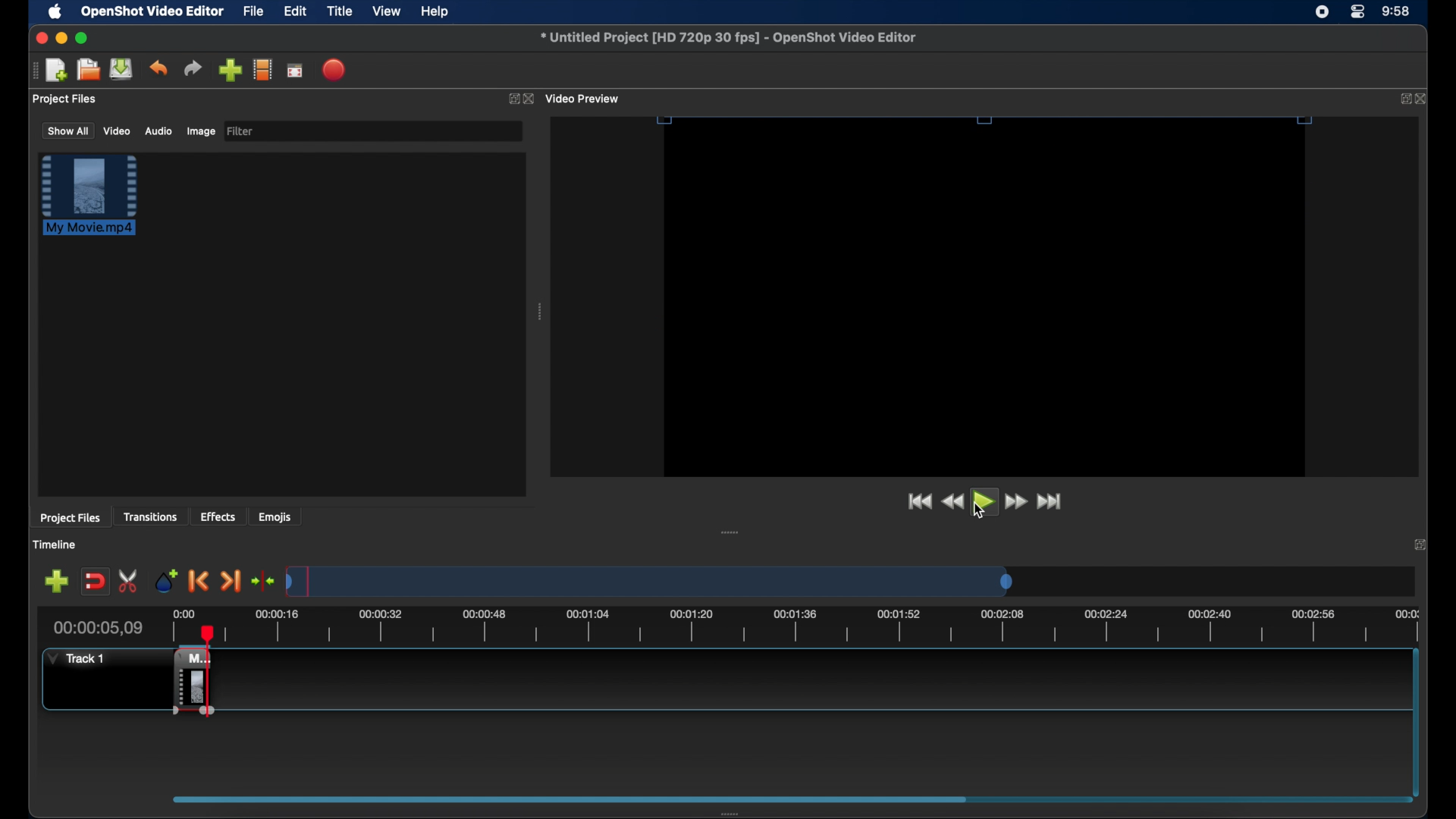  What do you see at coordinates (200, 133) in the screenshot?
I see `image` at bounding box center [200, 133].